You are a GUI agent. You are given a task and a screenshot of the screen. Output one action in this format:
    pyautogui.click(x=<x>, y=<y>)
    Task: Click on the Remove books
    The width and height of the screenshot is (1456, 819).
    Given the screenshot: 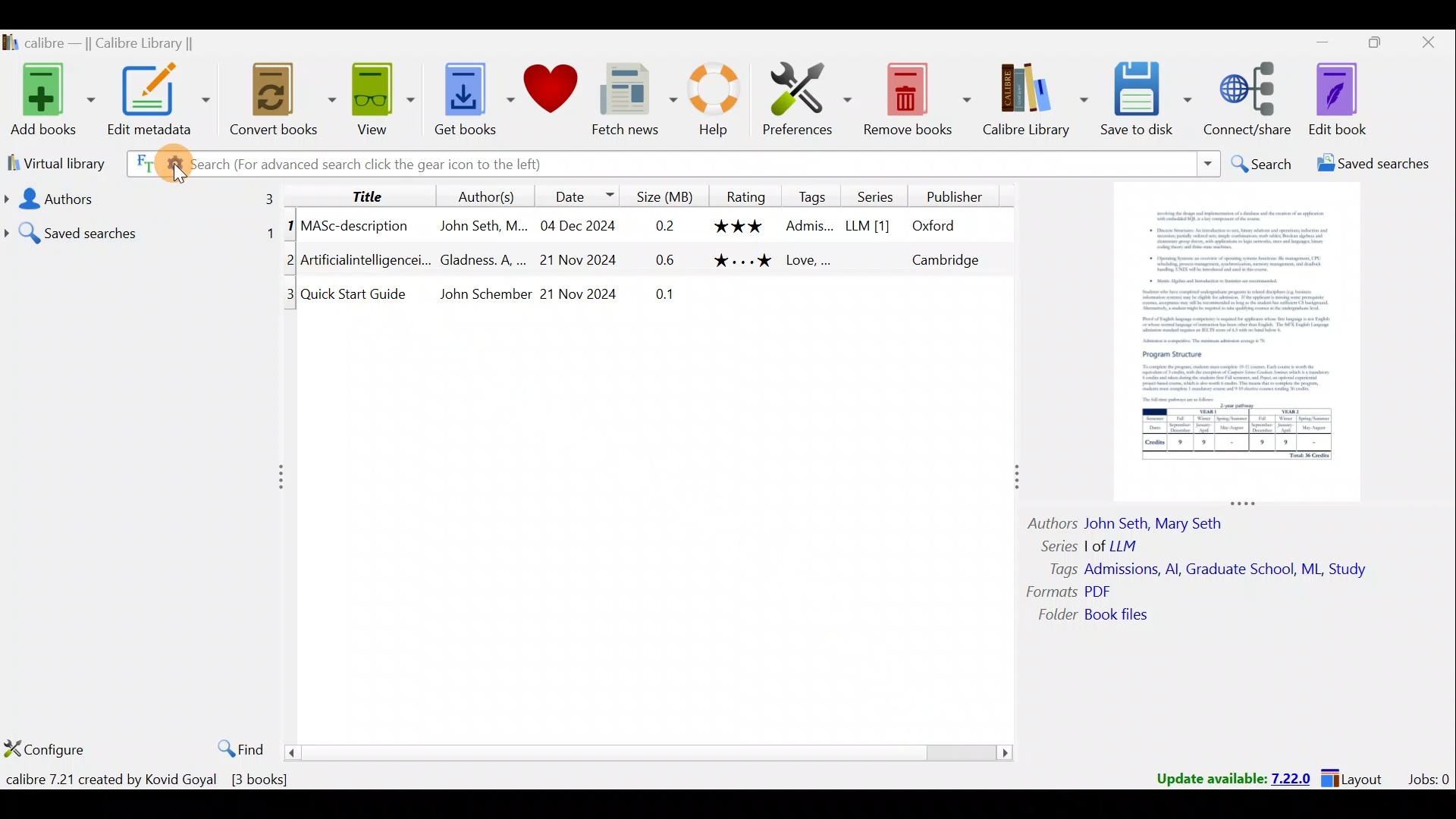 What is the action you would take?
    pyautogui.click(x=916, y=96)
    